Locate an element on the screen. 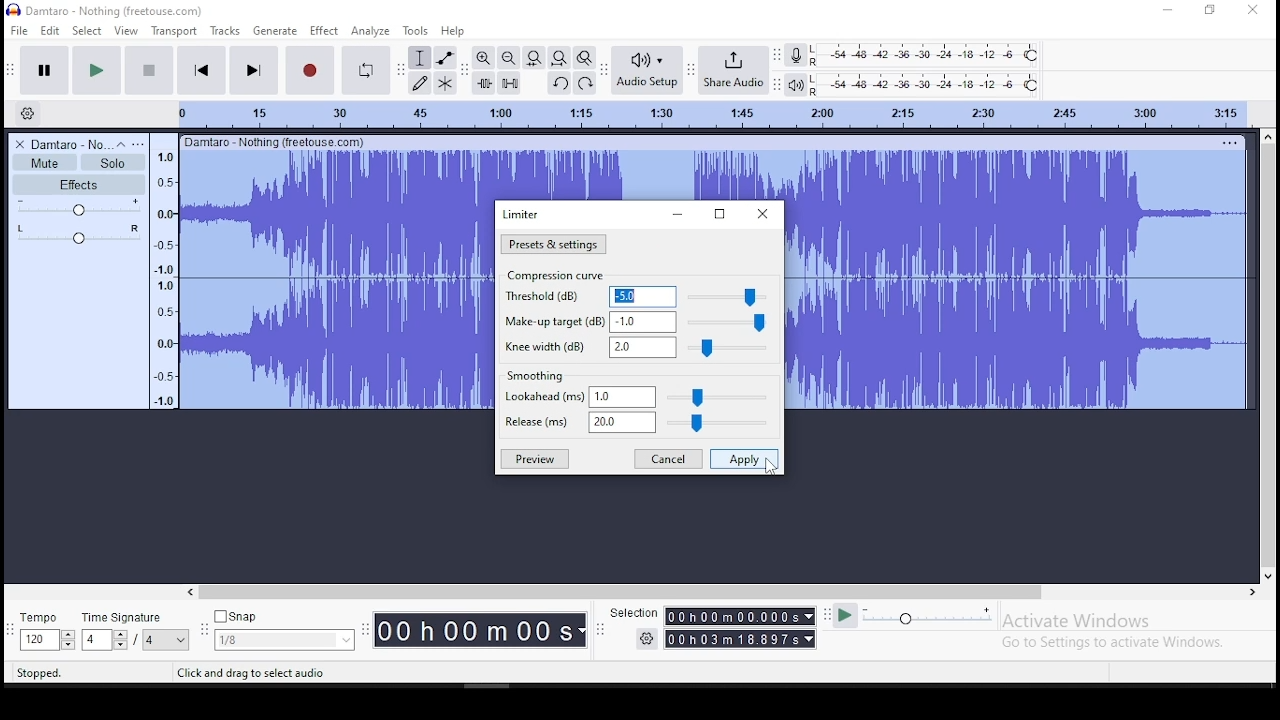  amplitude is located at coordinates (165, 270).